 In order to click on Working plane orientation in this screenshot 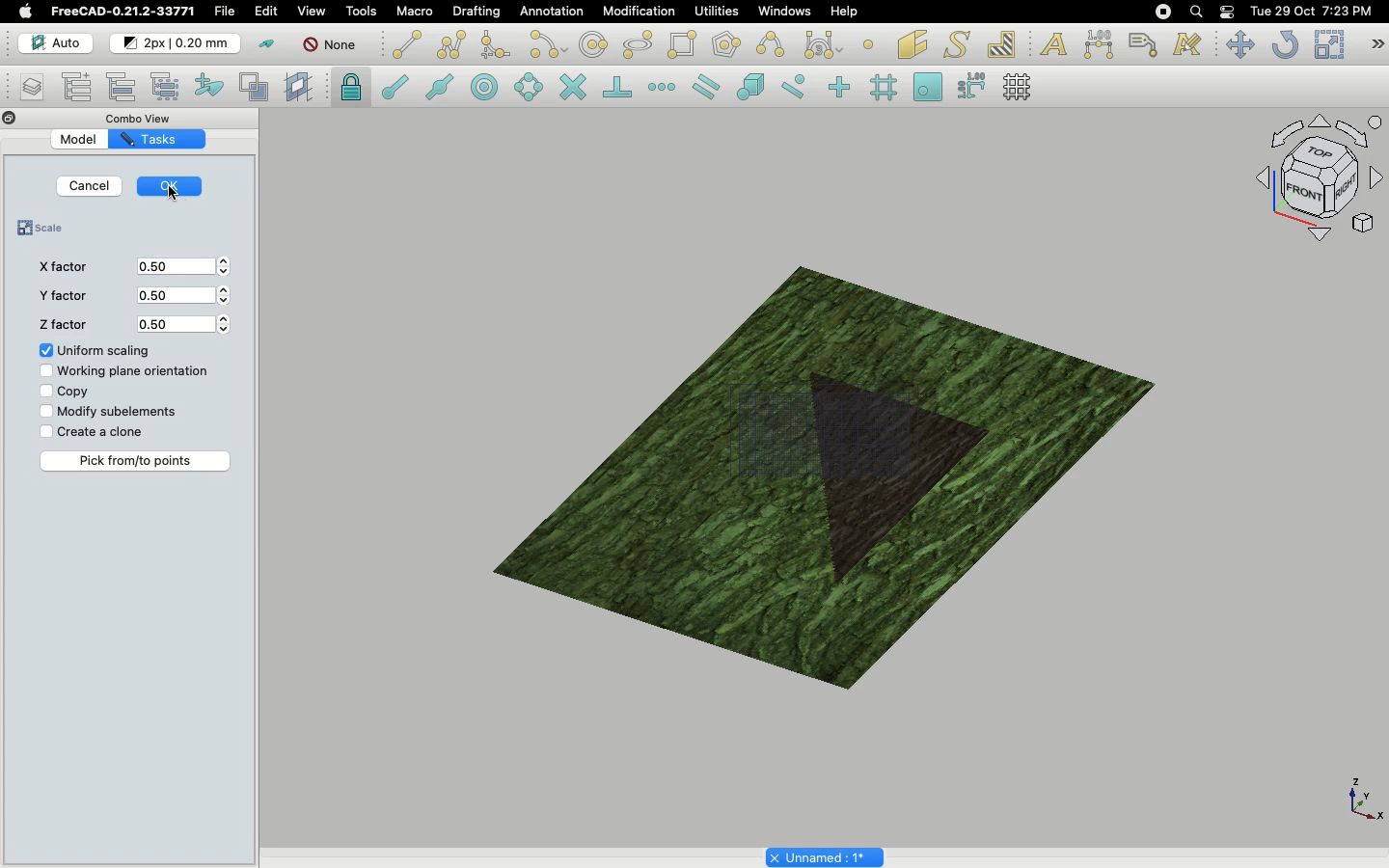, I will do `click(124, 373)`.